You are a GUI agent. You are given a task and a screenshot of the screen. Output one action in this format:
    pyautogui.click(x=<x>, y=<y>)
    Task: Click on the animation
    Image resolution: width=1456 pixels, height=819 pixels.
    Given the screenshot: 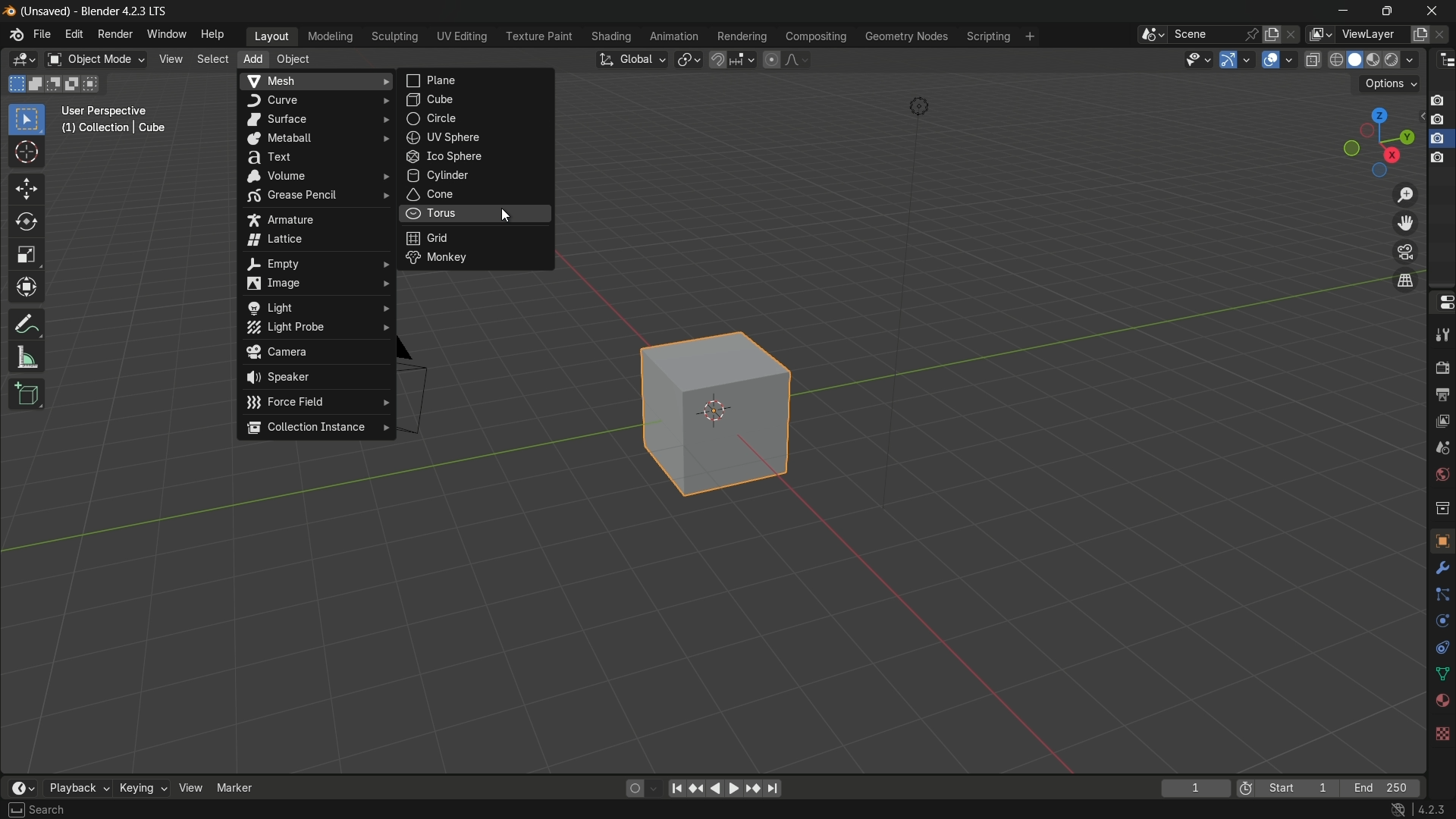 What is the action you would take?
    pyautogui.click(x=674, y=36)
    